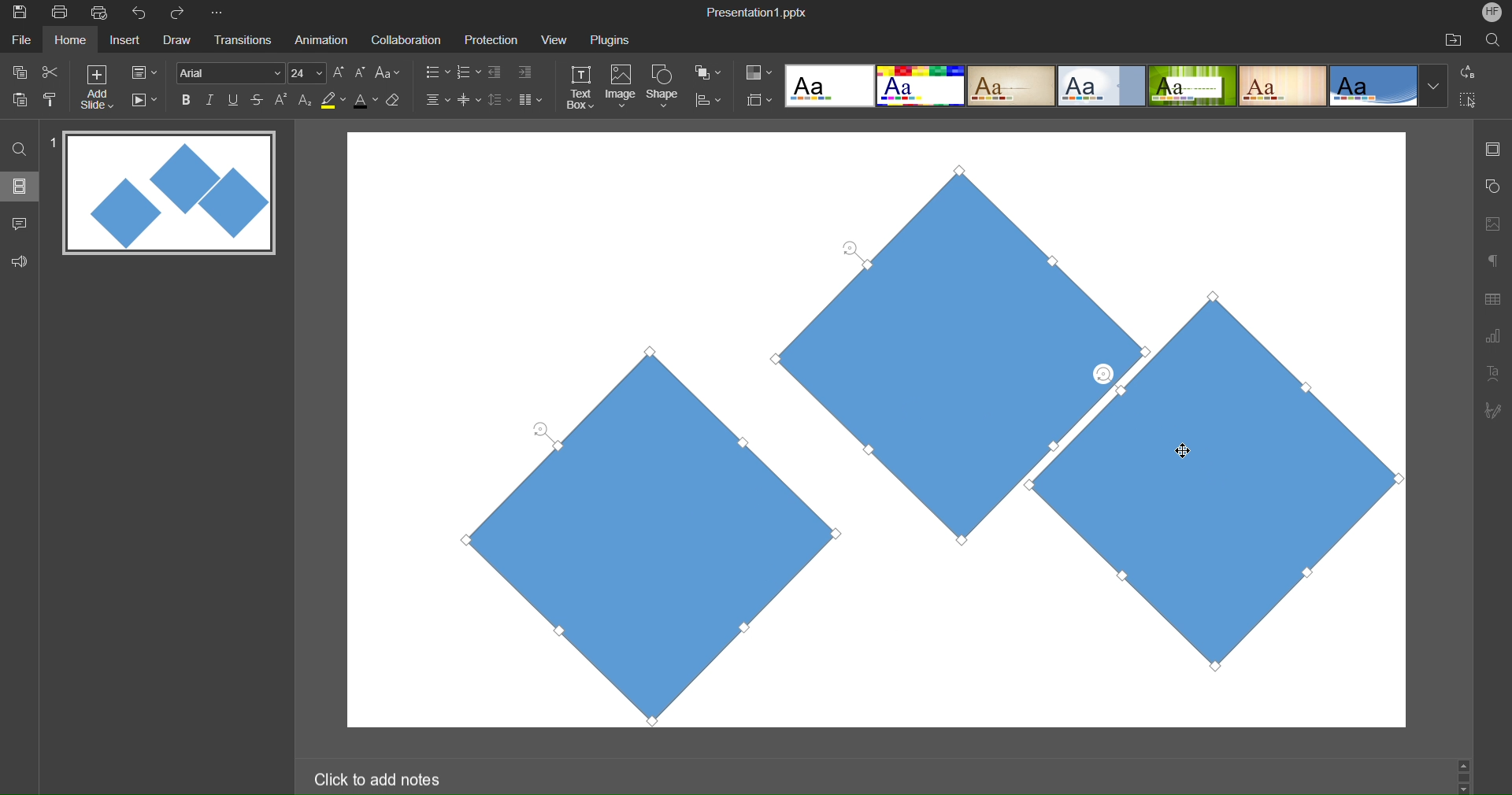 This screenshot has width=1512, height=795. Describe the element at coordinates (24, 260) in the screenshot. I see `support` at that location.